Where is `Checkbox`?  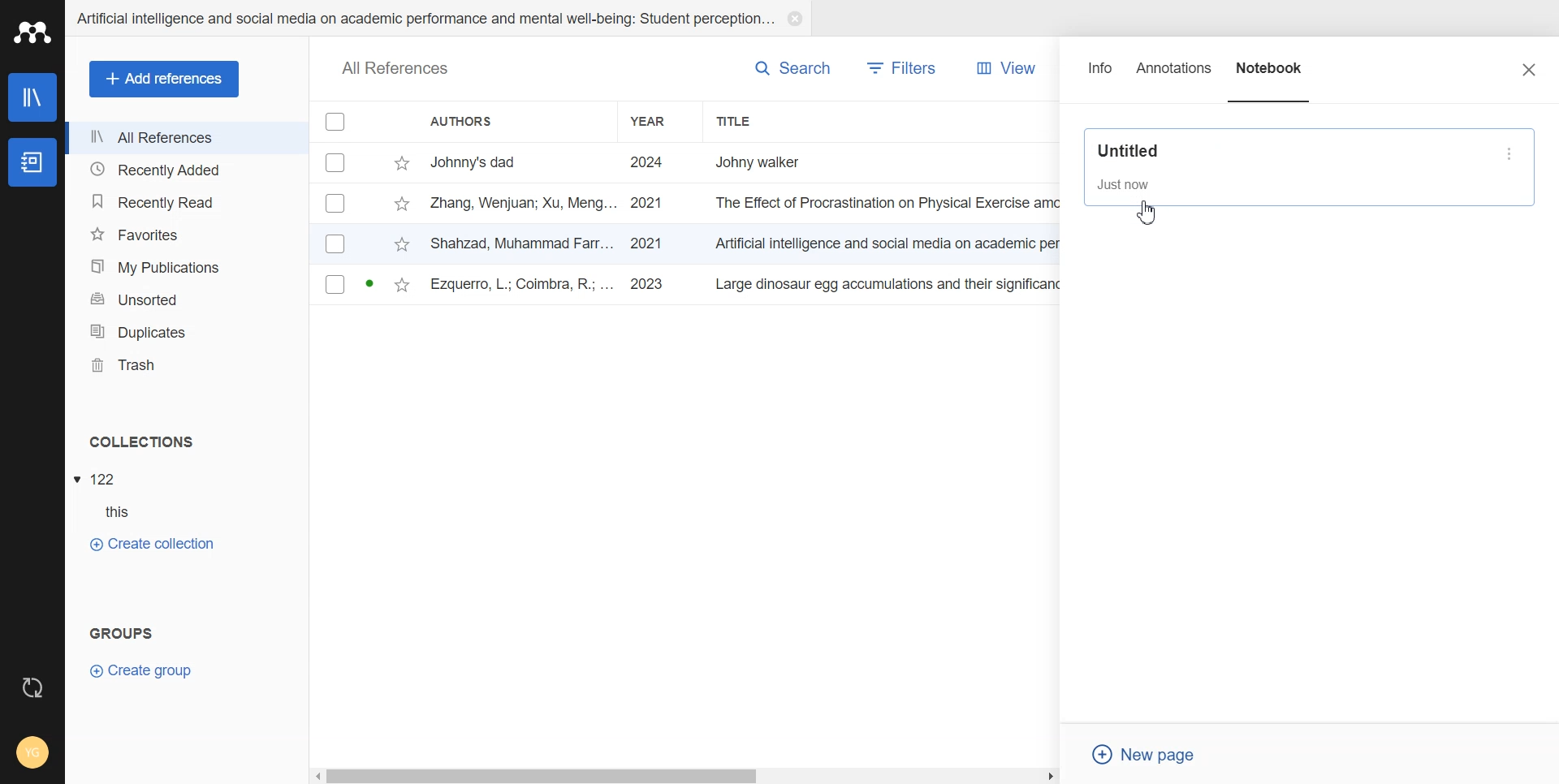
Checkbox is located at coordinates (337, 121).